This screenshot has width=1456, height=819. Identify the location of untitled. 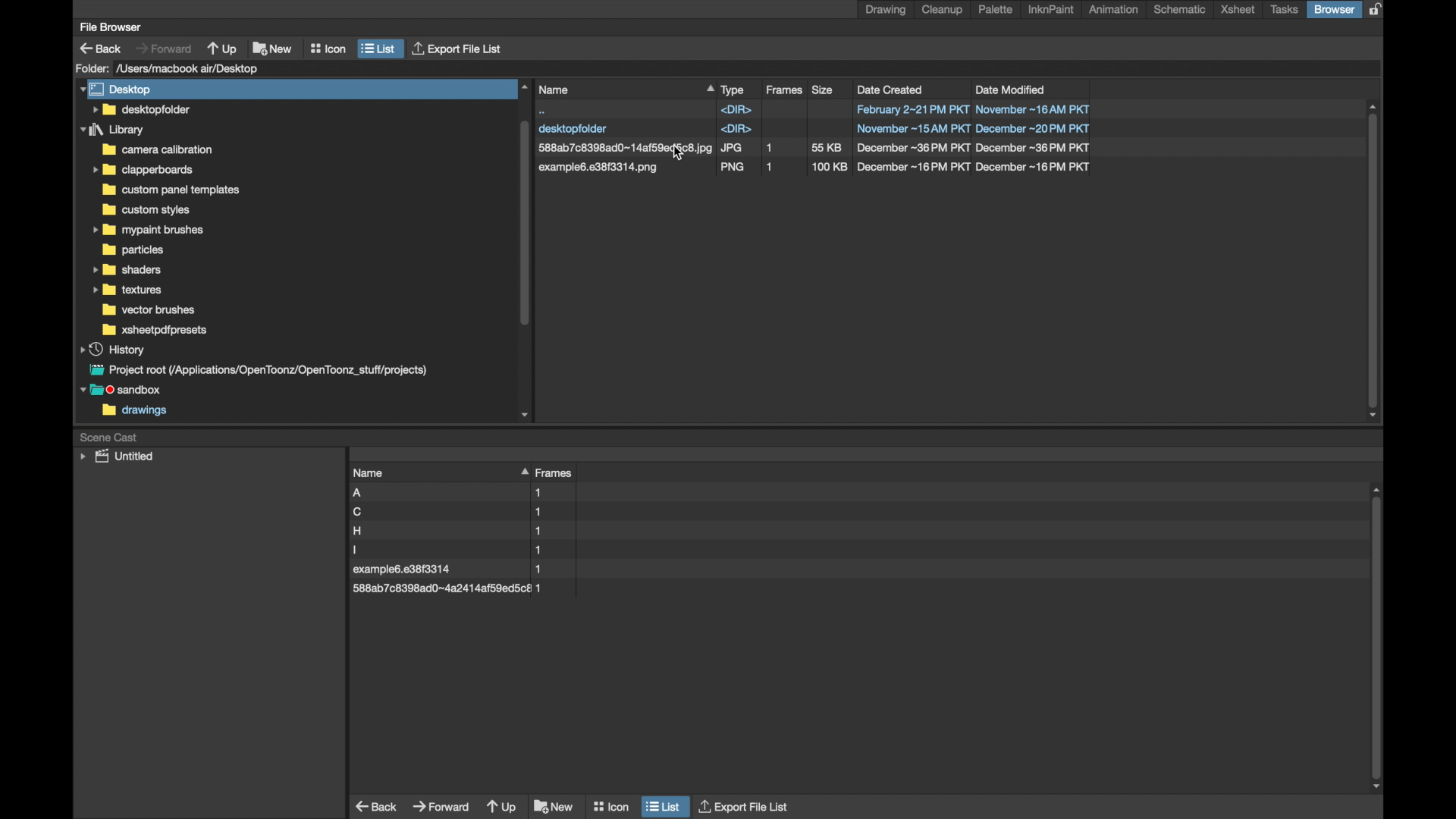
(117, 457).